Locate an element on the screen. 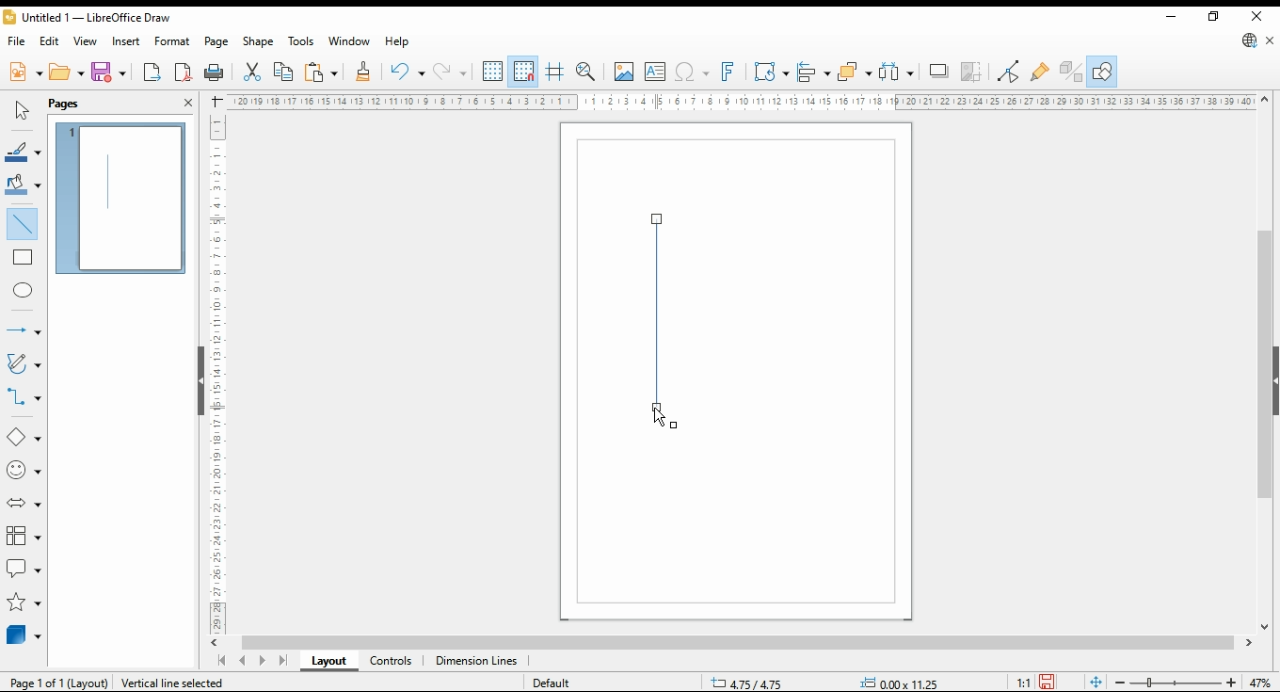  undo is located at coordinates (406, 72).